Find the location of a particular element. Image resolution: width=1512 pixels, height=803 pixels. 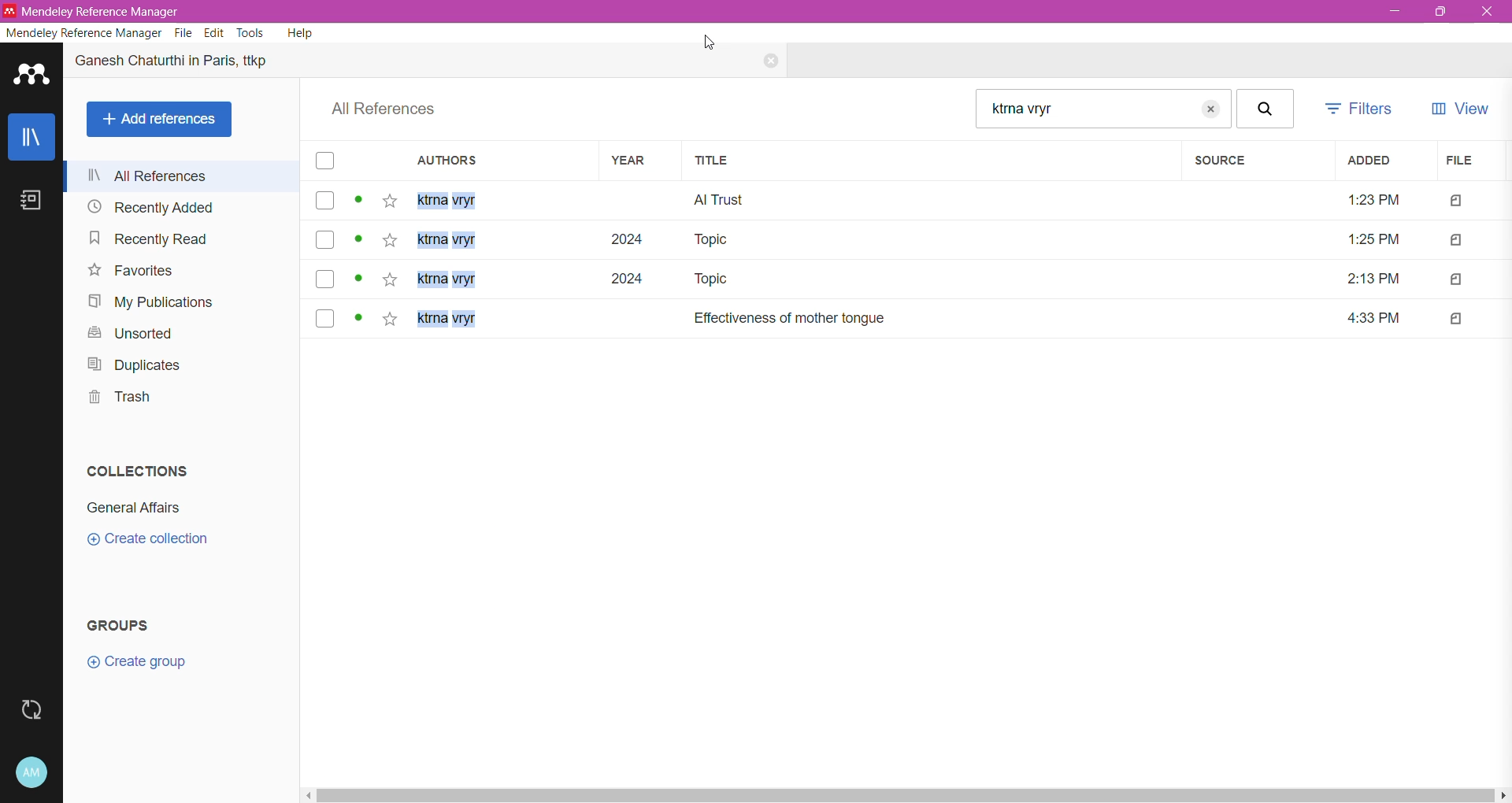

My Publications is located at coordinates (148, 303).